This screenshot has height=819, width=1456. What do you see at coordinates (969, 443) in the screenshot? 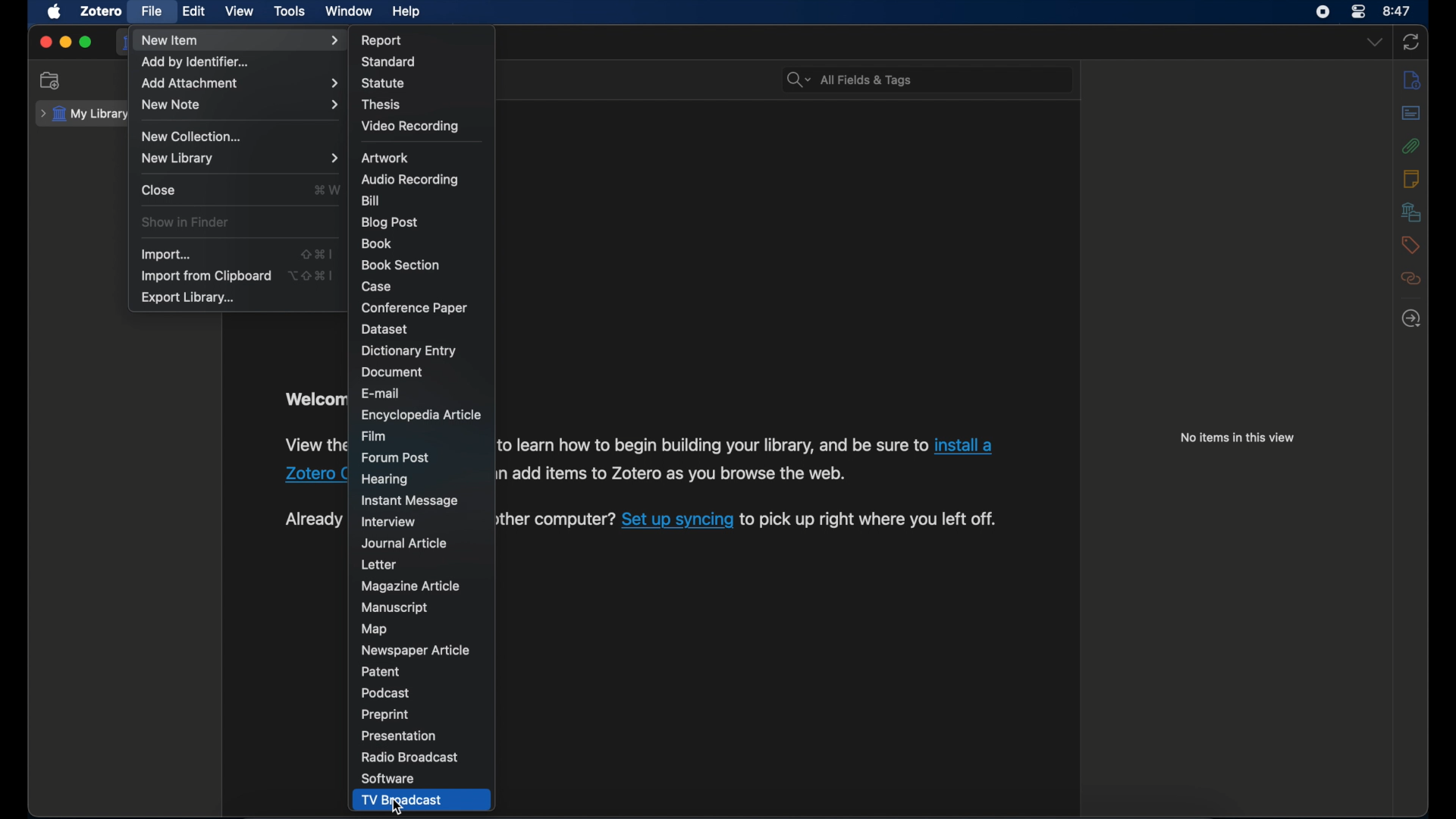
I see `Zotero connector link` at bounding box center [969, 443].